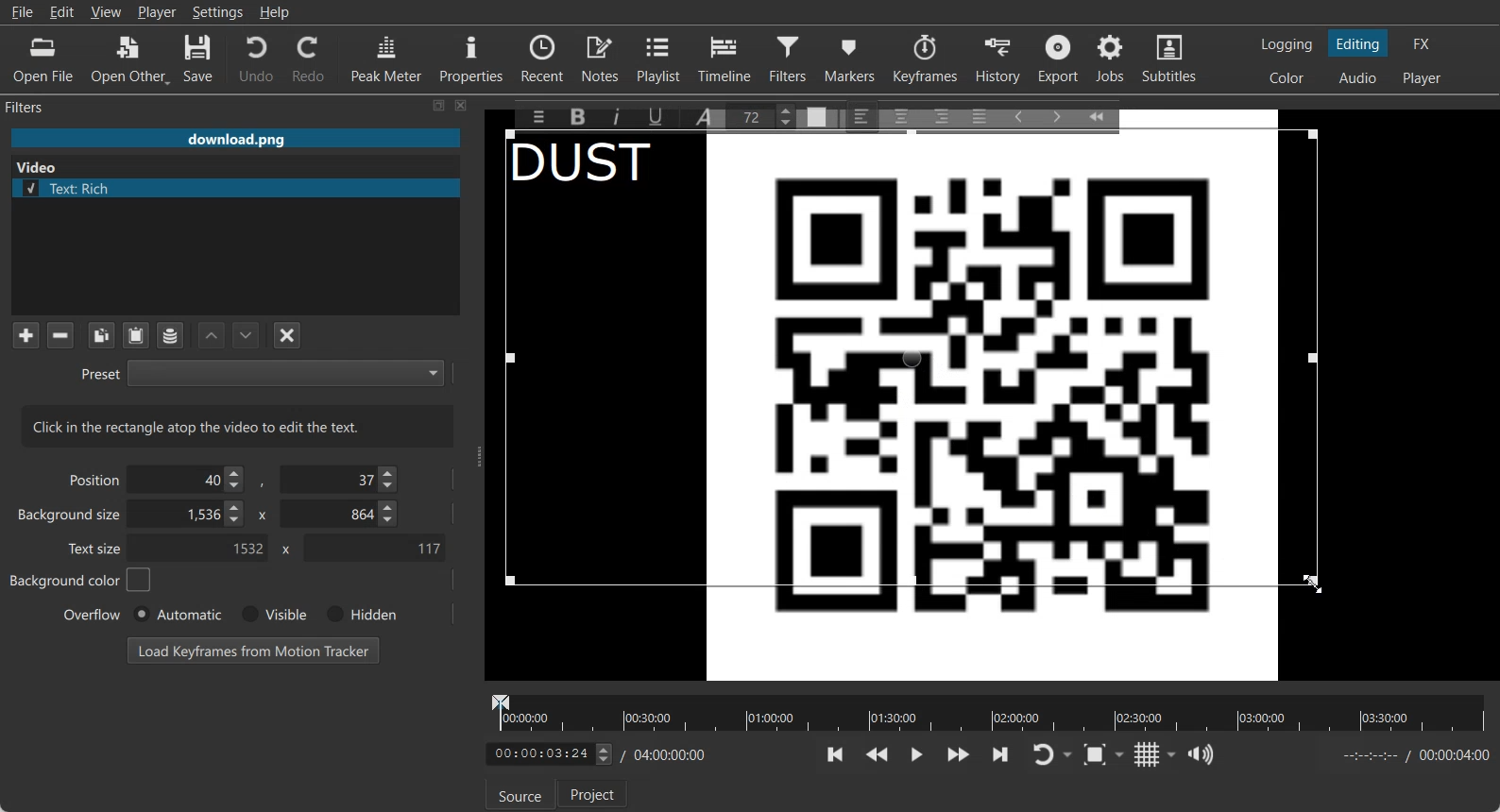 The height and width of the screenshot is (812, 1500). What do you see at coordinates (1287, 78) in the screenshot?
I see `Switching to the Color layout` at bounding box center [1287, 78].